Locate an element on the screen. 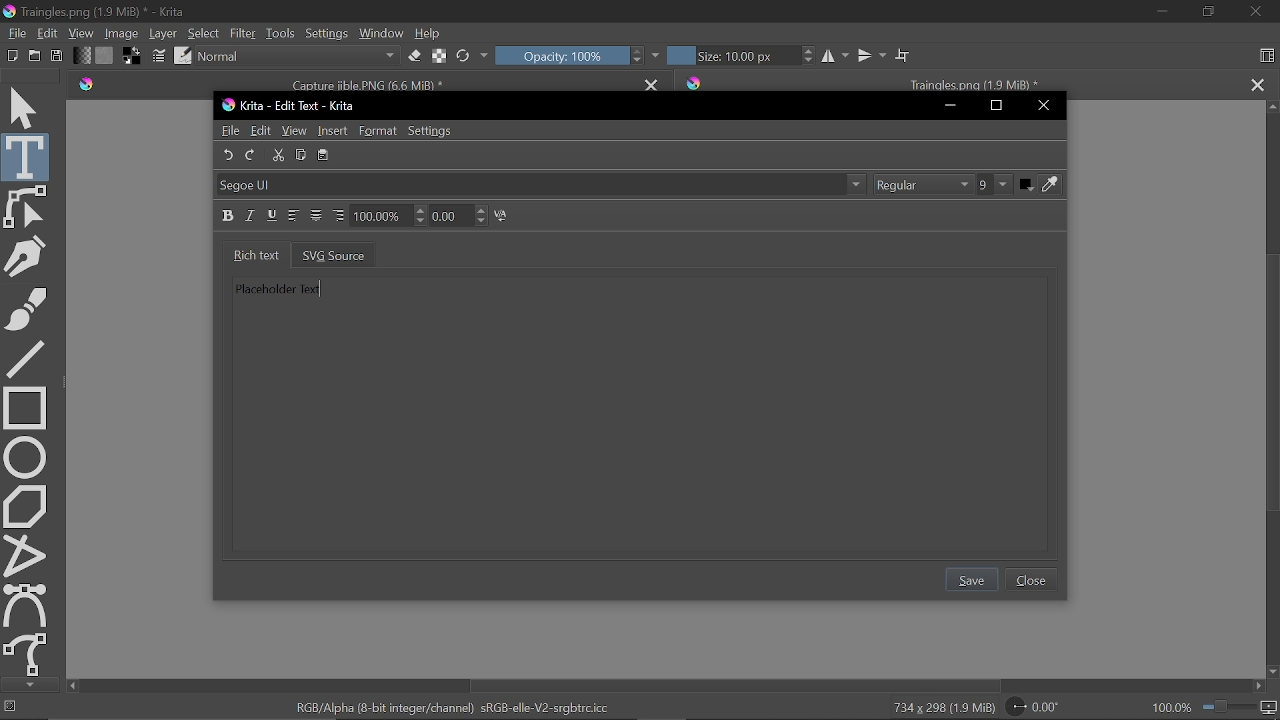 This screenshot has width=1280, height=720. Move up is located at coordinates (1272, 107).